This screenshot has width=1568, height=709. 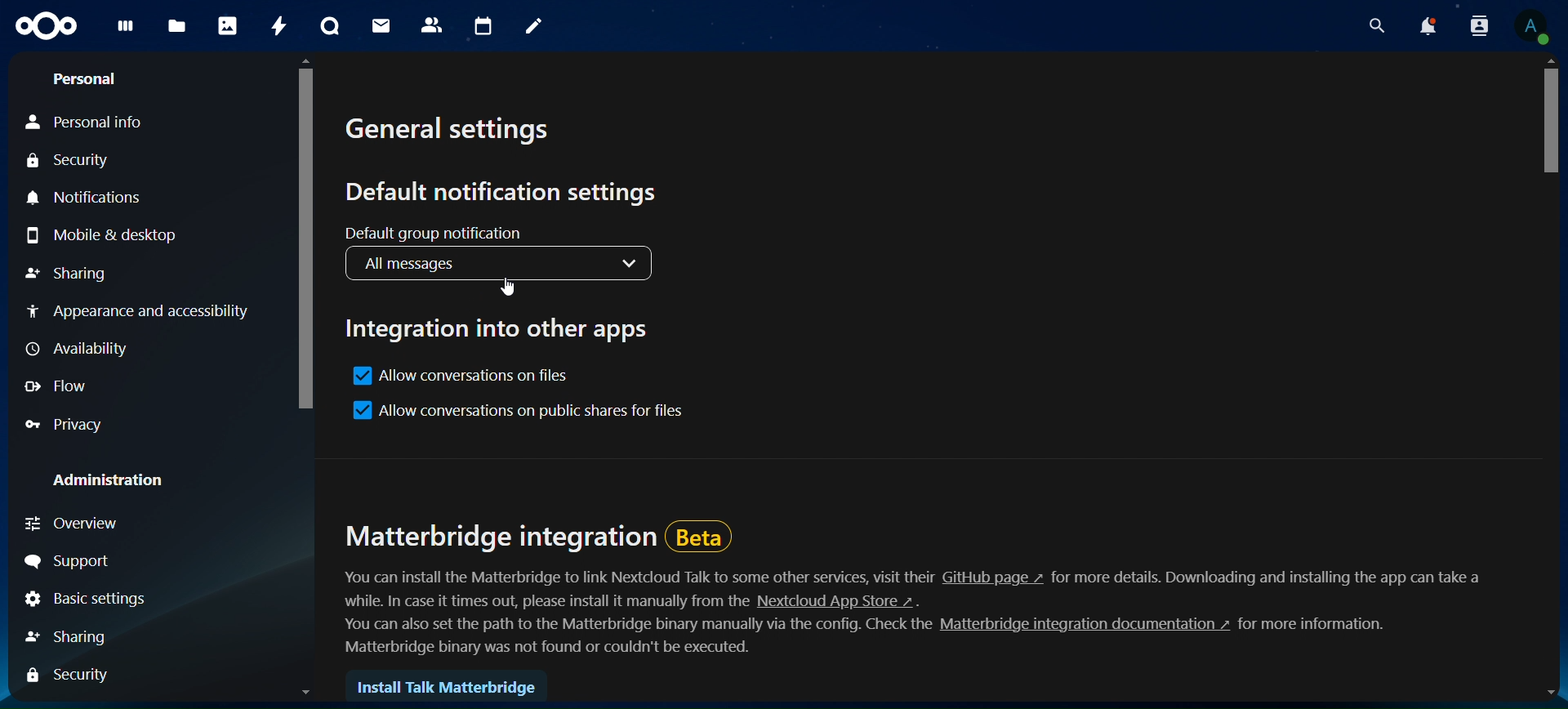 What do you see at coordinates (385, 27) in the screenshot?
I see `mail` at bounding box center [385, 27].